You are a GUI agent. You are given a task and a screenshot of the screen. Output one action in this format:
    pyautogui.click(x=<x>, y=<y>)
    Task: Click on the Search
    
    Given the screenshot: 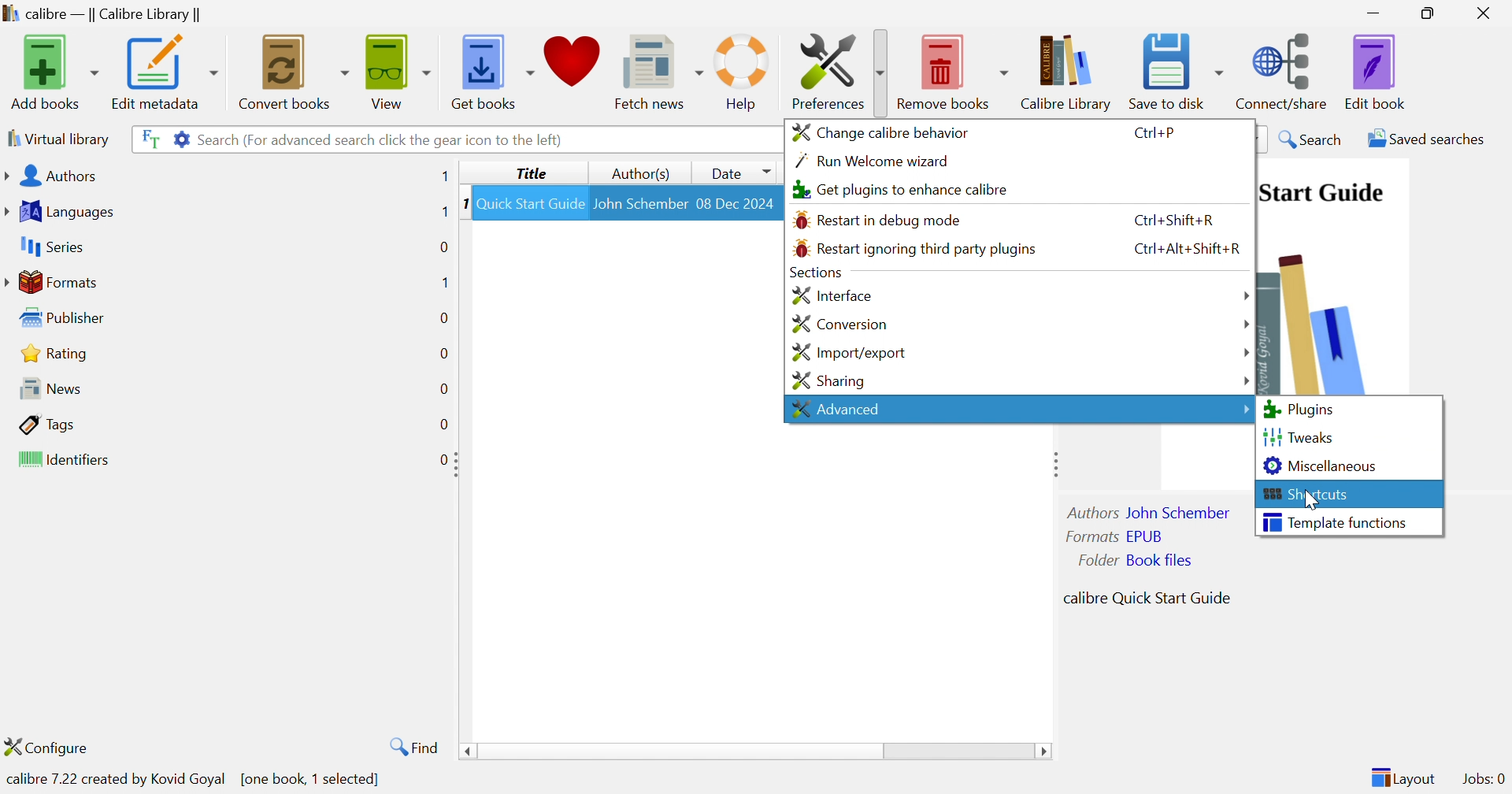 What is the action you would take?
    pyautogui.click(x=1312, y=139)
    